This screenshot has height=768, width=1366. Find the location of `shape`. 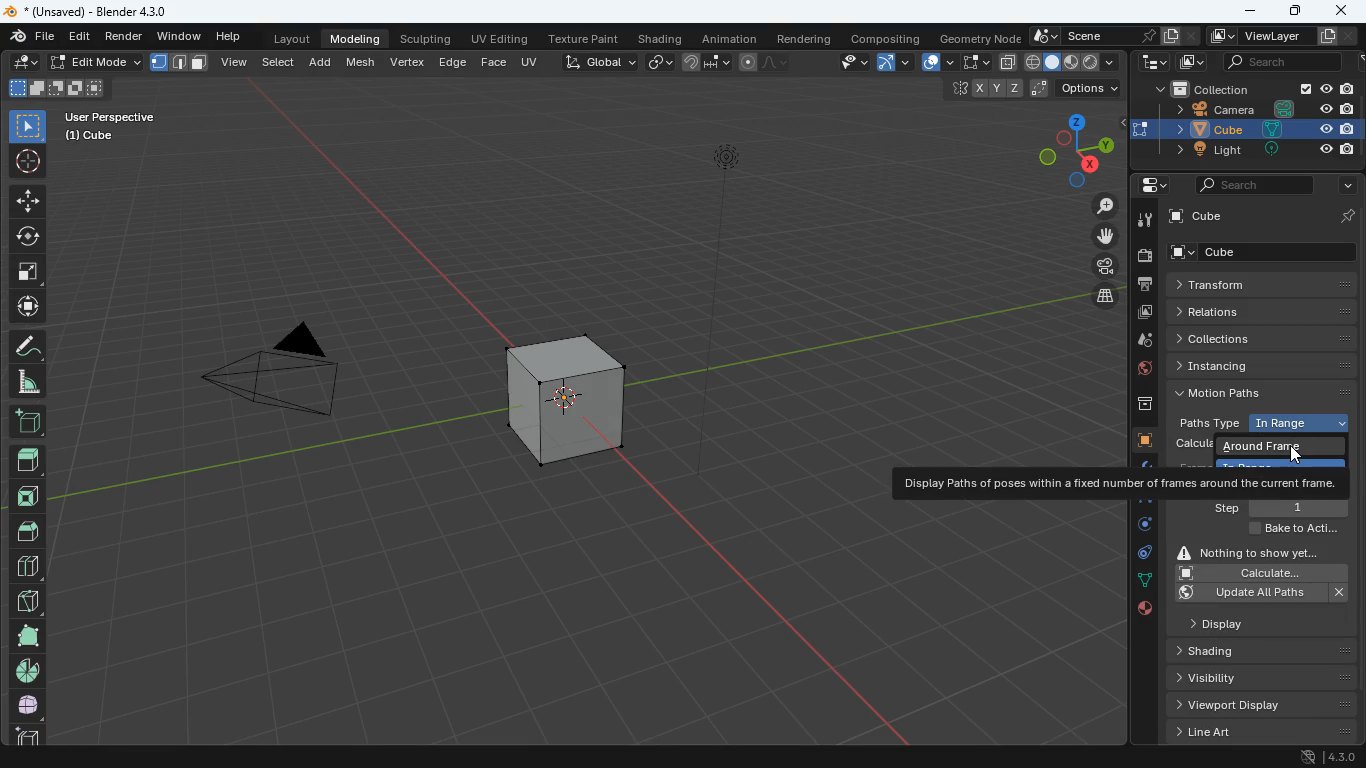

shape is located at coordinates (56, 87).